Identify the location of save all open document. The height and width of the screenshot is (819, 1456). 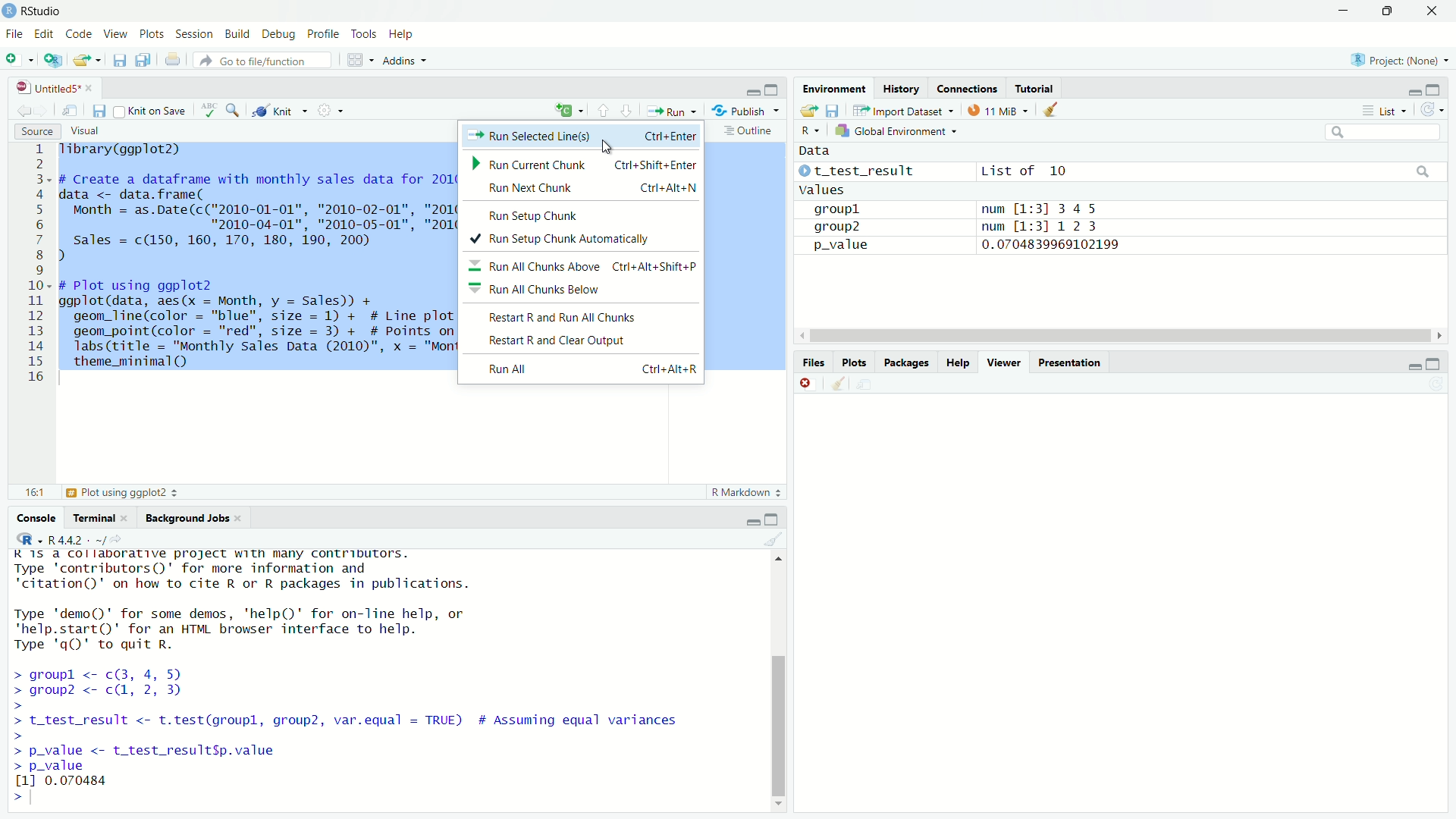
(143, 60).